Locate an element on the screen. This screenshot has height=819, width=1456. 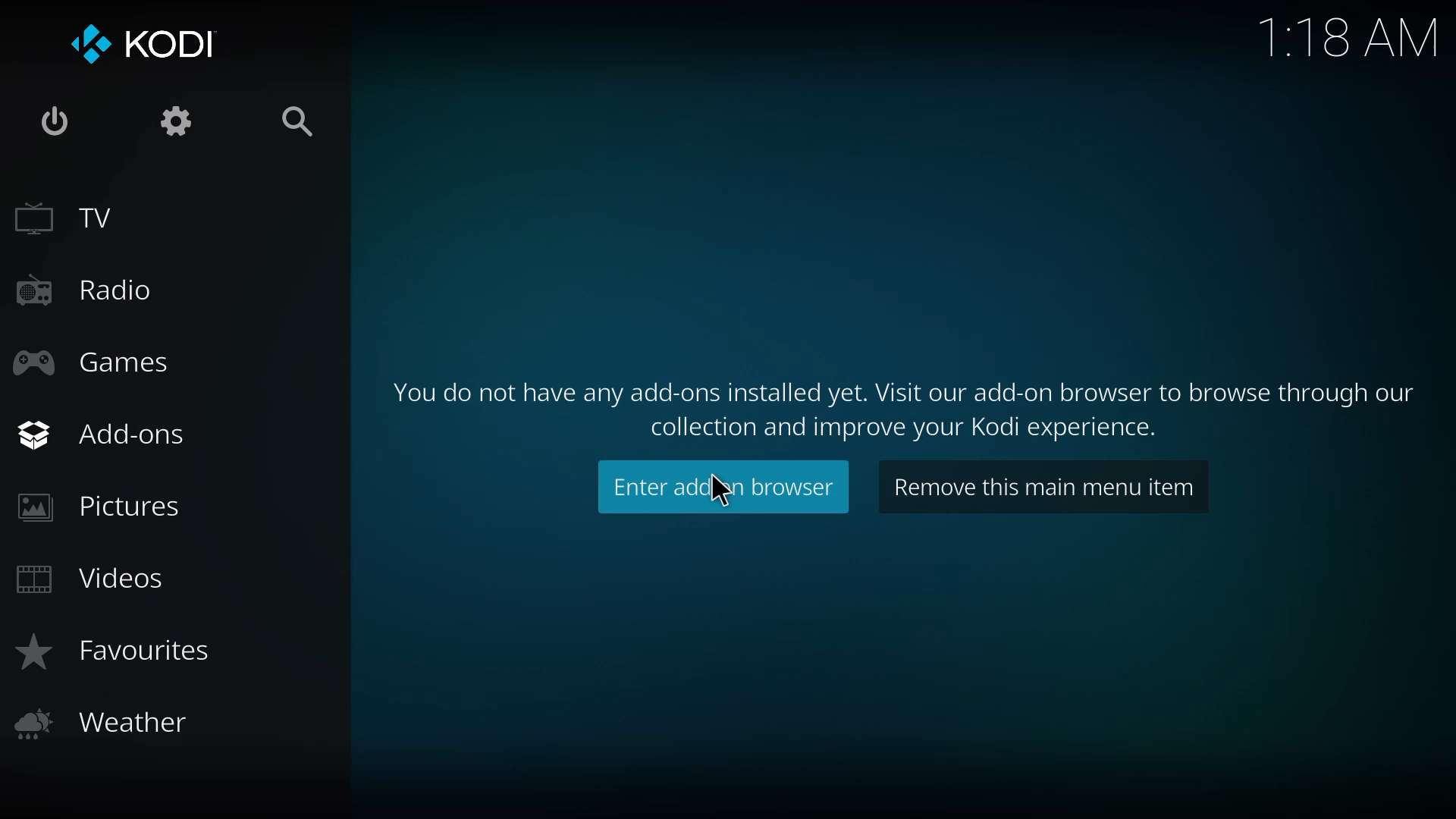
pictures is located at coordinates (99, 507).